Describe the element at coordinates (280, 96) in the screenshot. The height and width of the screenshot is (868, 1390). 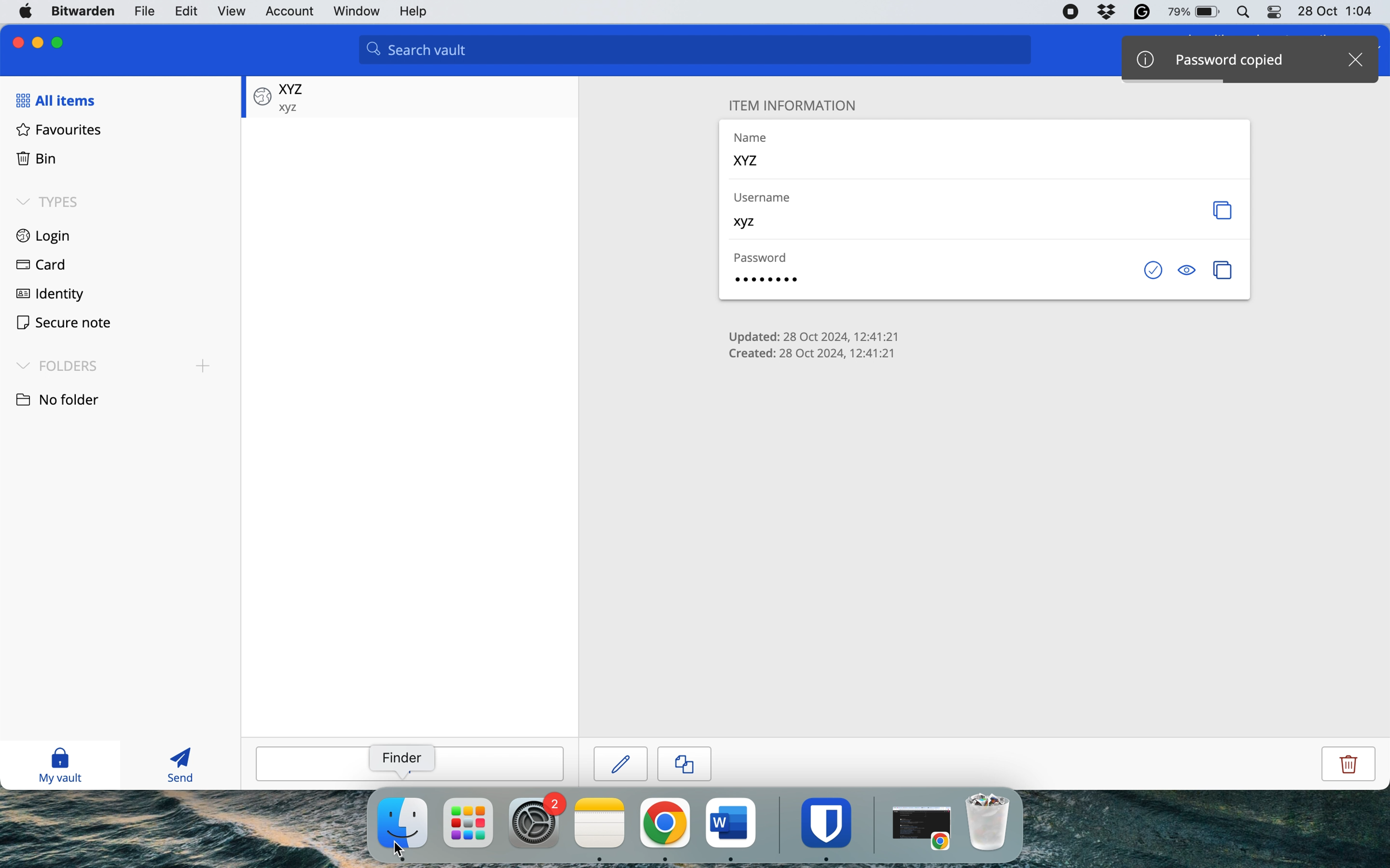
I see `saved password` at that location.